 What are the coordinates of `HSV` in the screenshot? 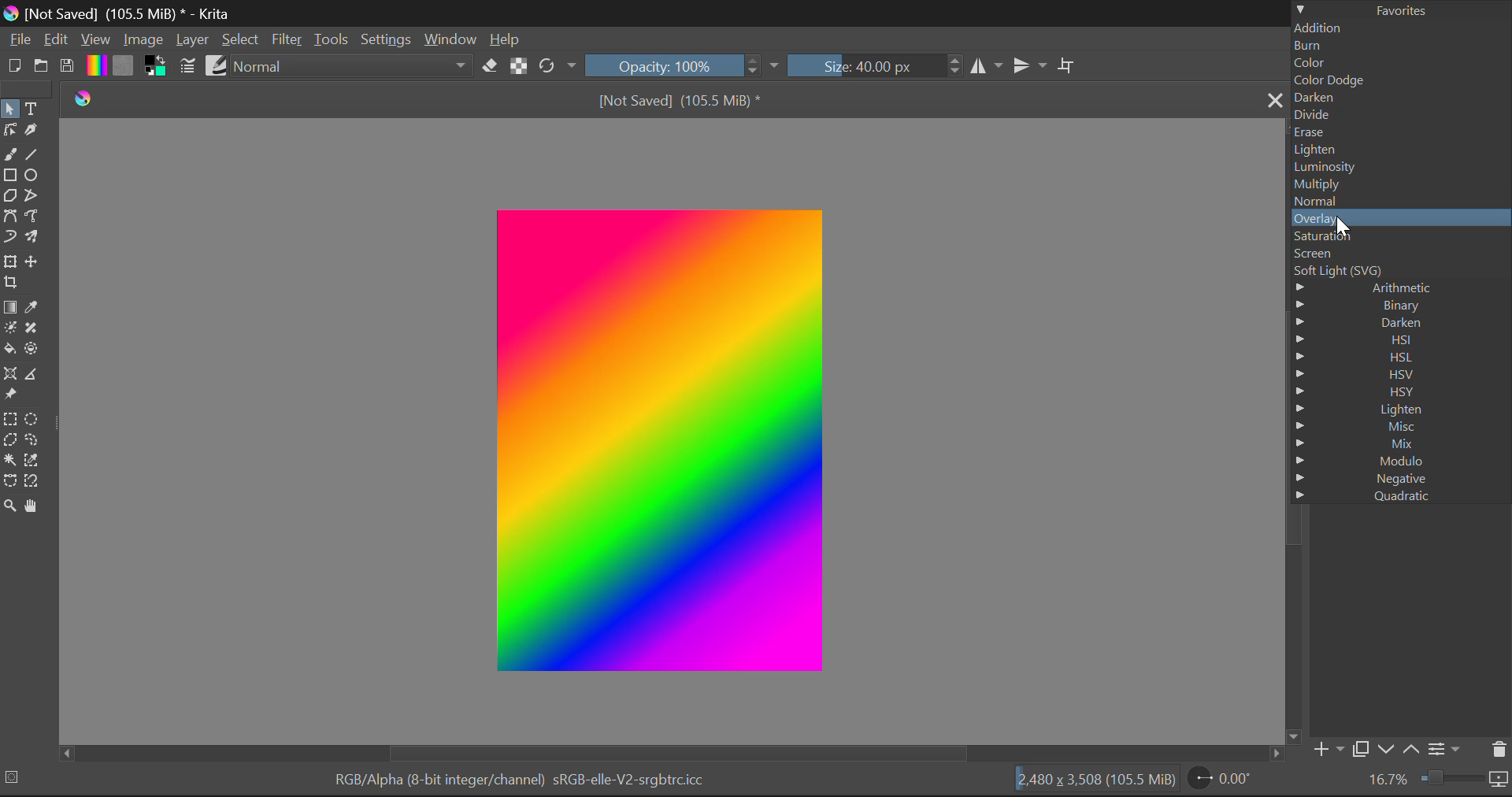 It's located at (1399, 375).